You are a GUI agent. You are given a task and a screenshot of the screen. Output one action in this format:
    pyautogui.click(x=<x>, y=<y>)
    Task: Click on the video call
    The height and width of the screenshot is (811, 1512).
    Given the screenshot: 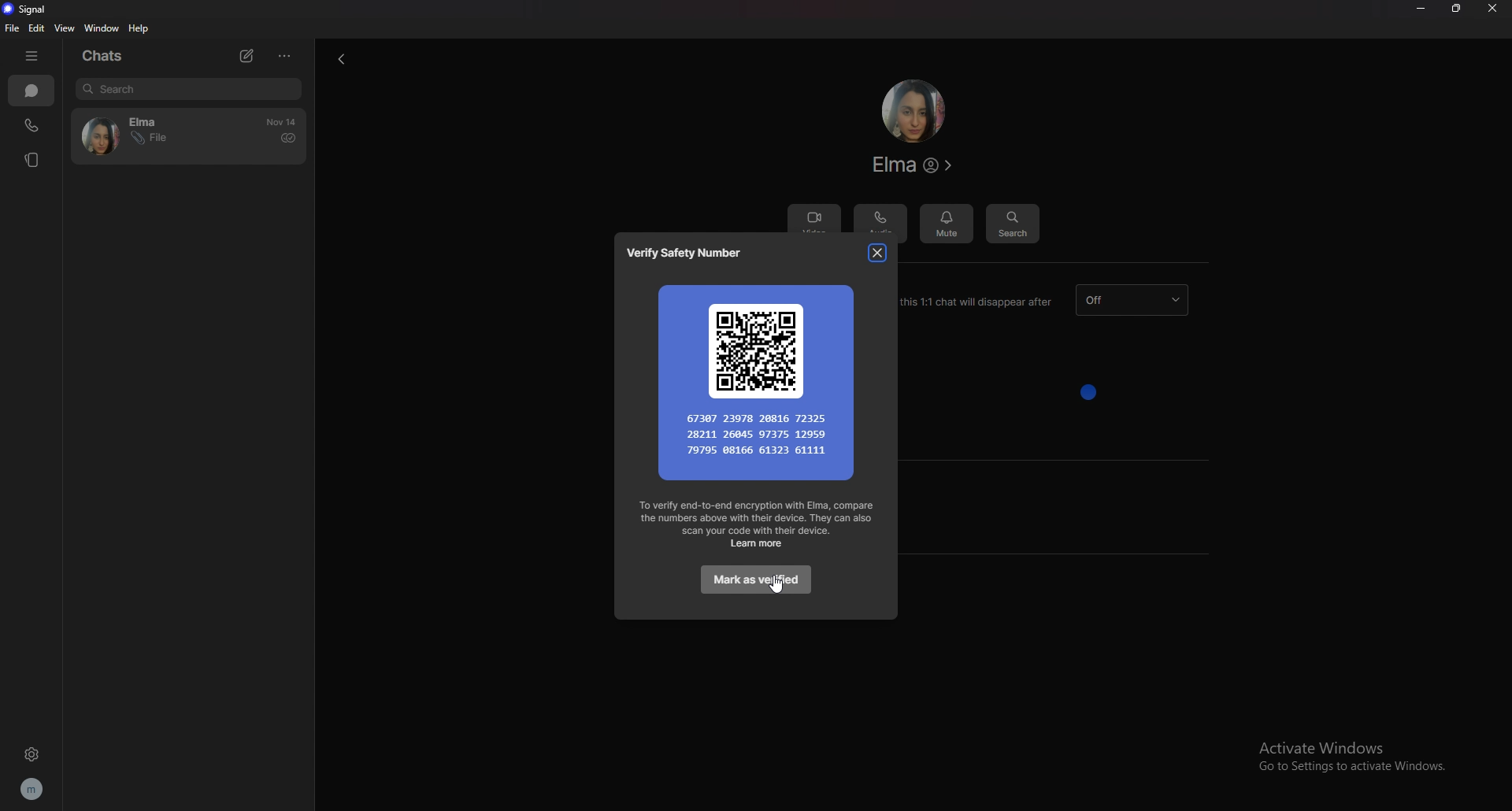 What is the action you would take?
    pyautogui.click(x=813, y=215)
    